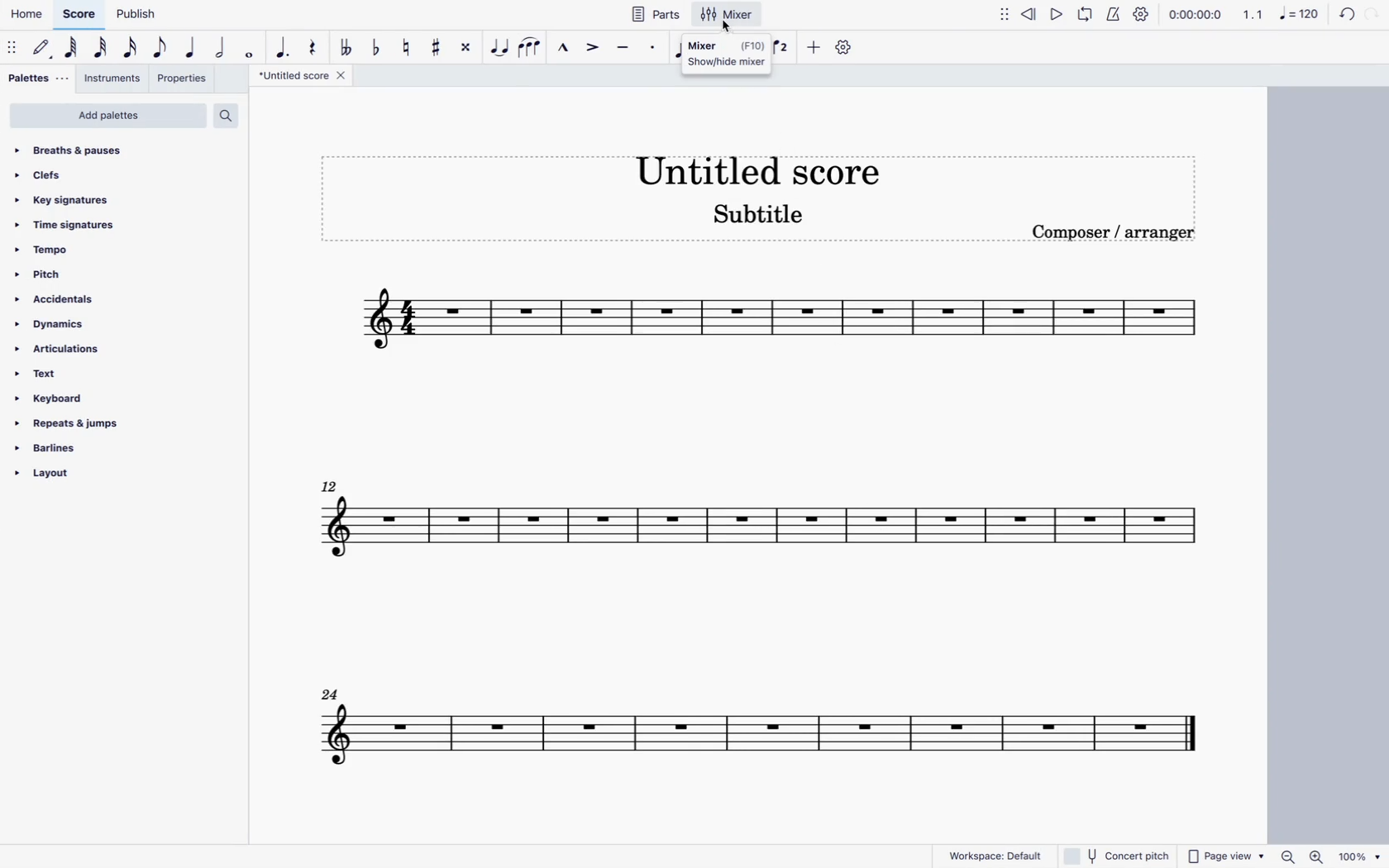 Image resolution: width=1389 pixels, height=868 pixels. I want to click on settings, so click(1142, 14).